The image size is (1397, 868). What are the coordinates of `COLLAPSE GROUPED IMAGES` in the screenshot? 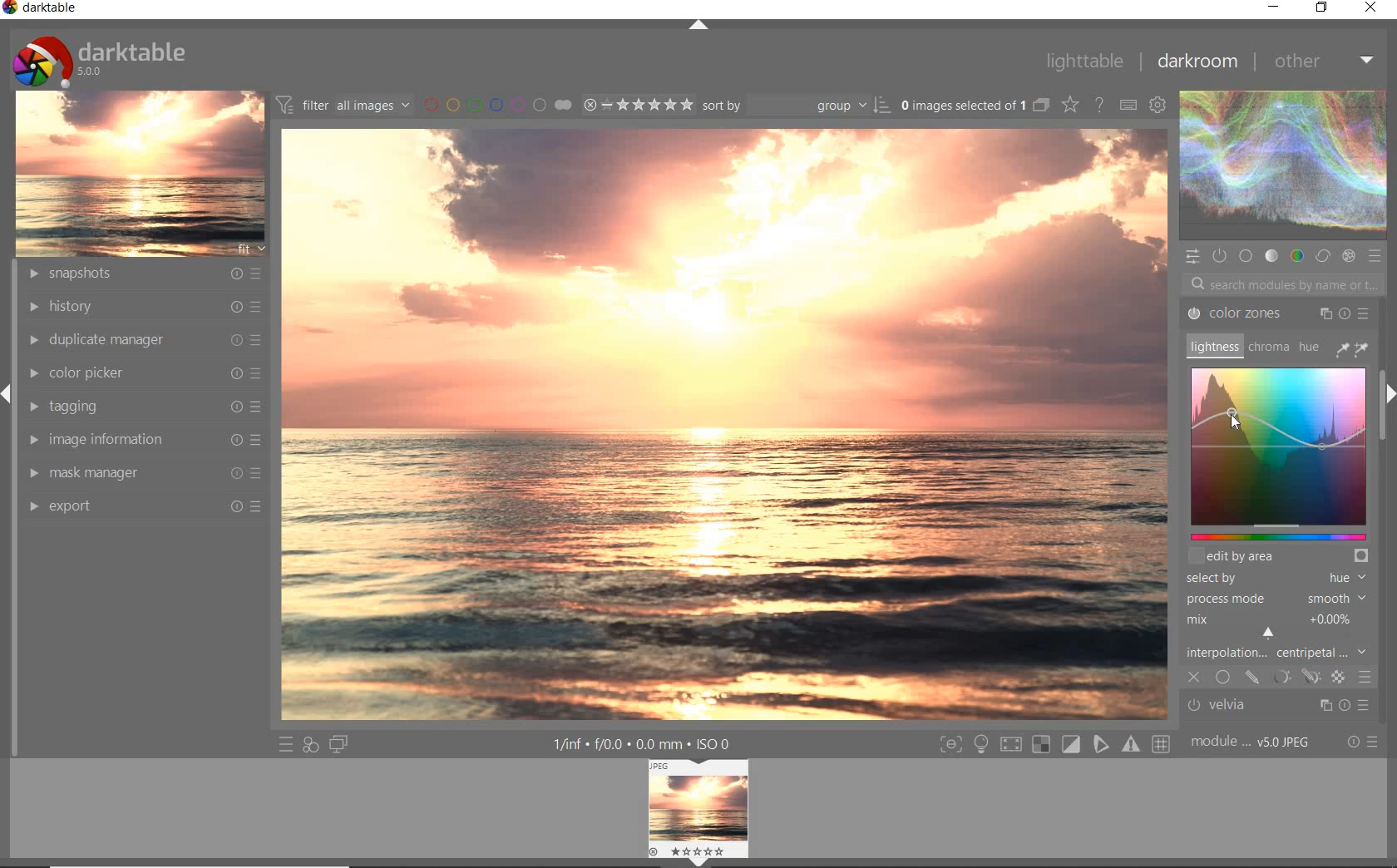 It's located at (1040, 104).